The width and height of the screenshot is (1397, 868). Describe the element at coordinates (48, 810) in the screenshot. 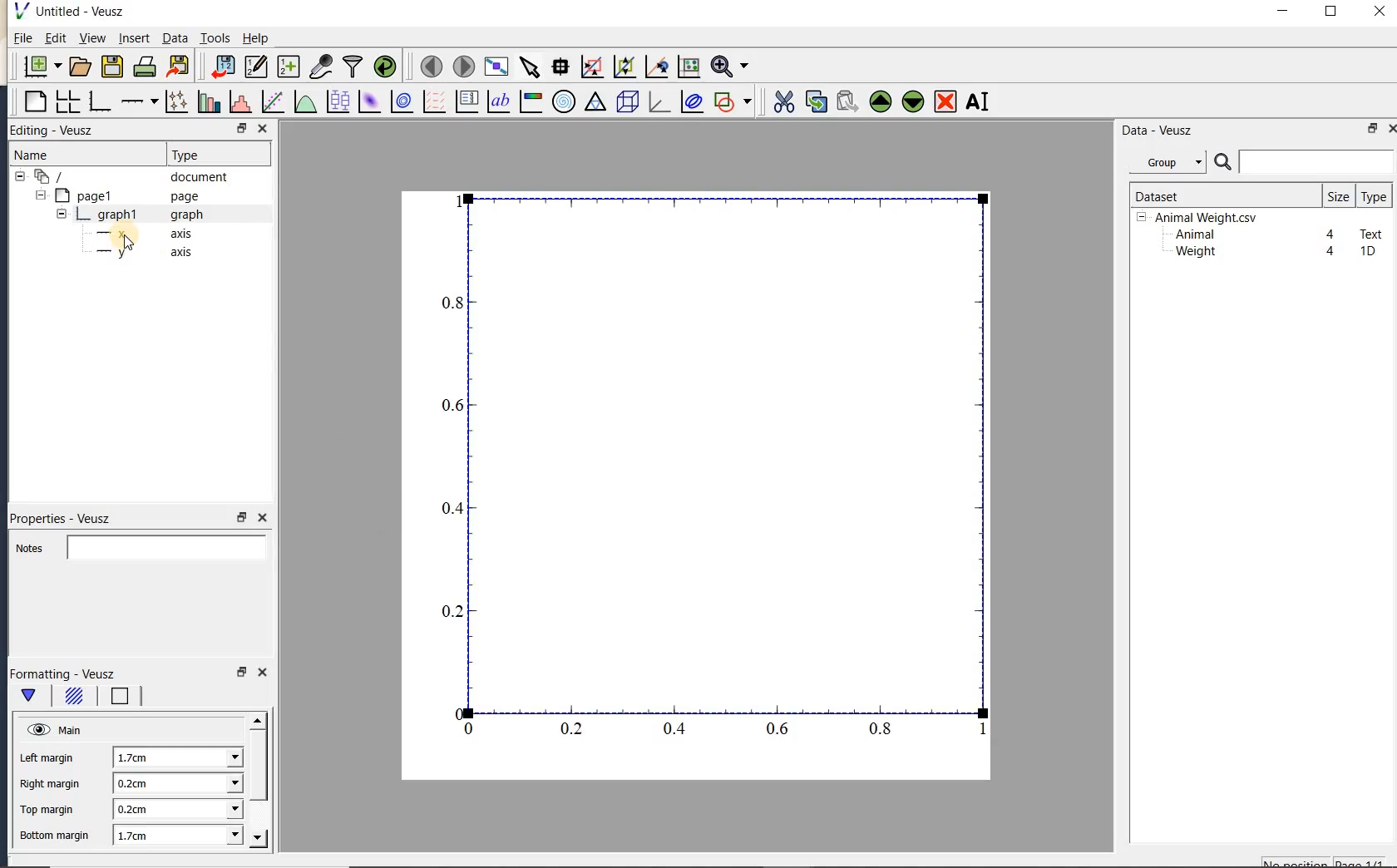

I see `Top margin` at that location.